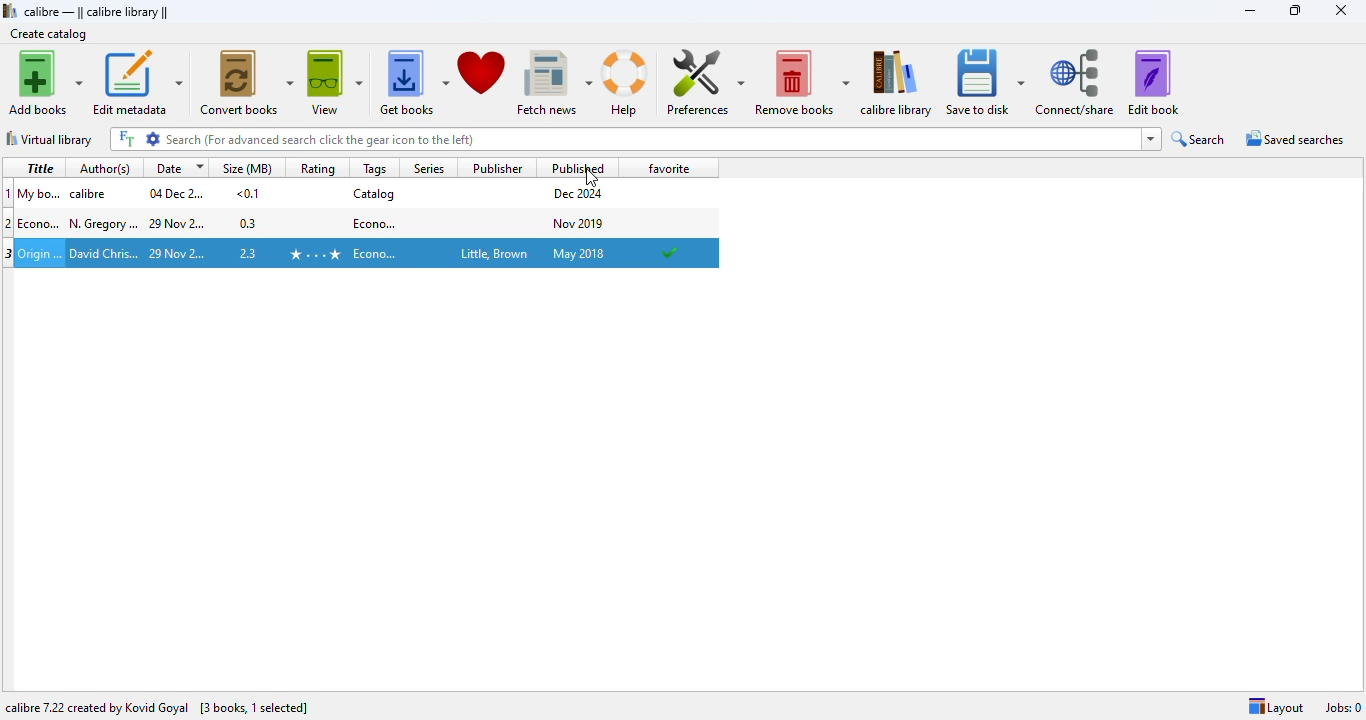 The height and width of the screenshot is (720, 1366). I want to click on author, so click(103, 223).